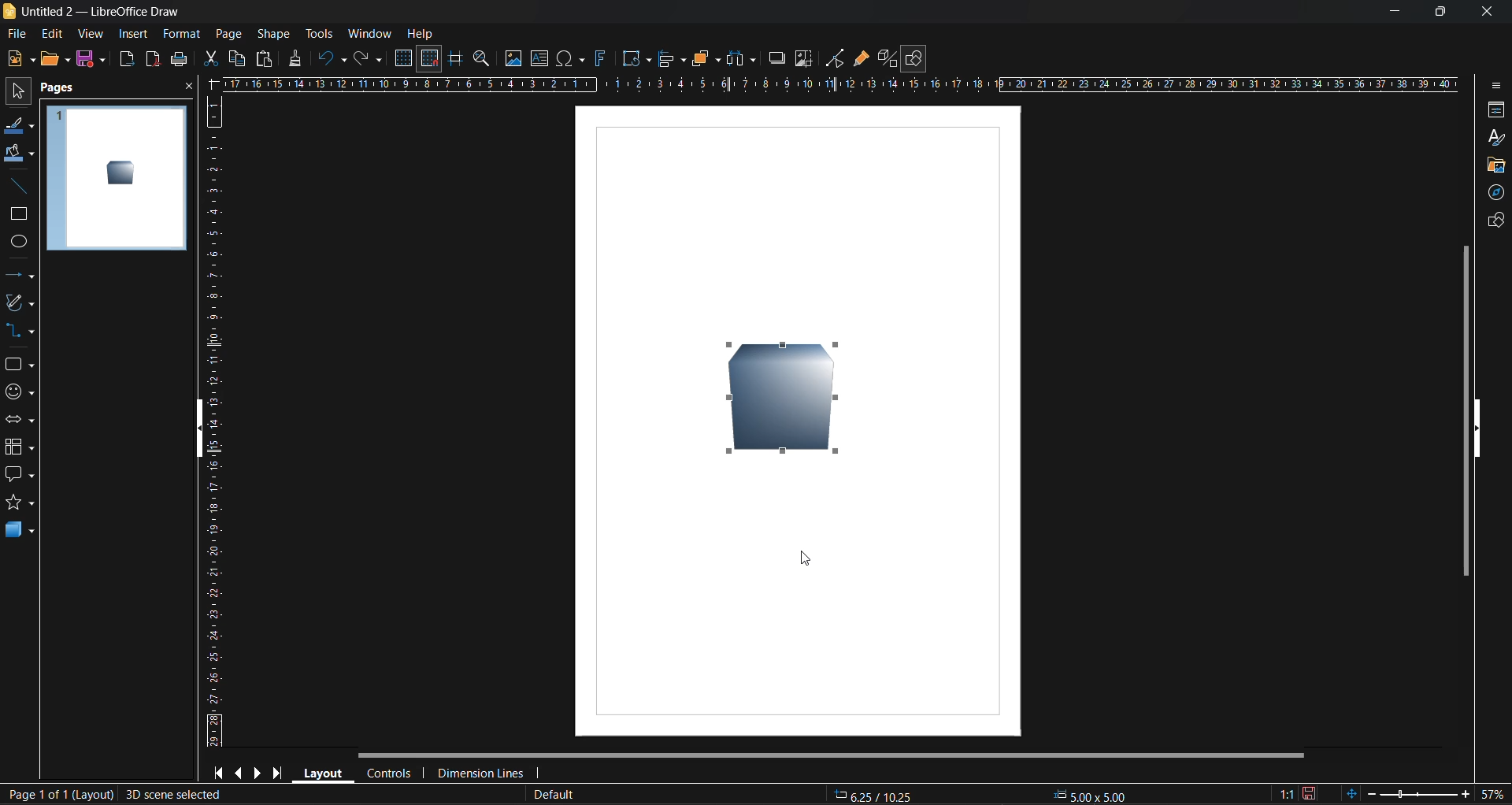 Image resolution: width=1512 pixels, height=805 pixels. What do you see at coordinates (228, 33) in the screenshot?
I see `page` at bounding box center [228, 33].